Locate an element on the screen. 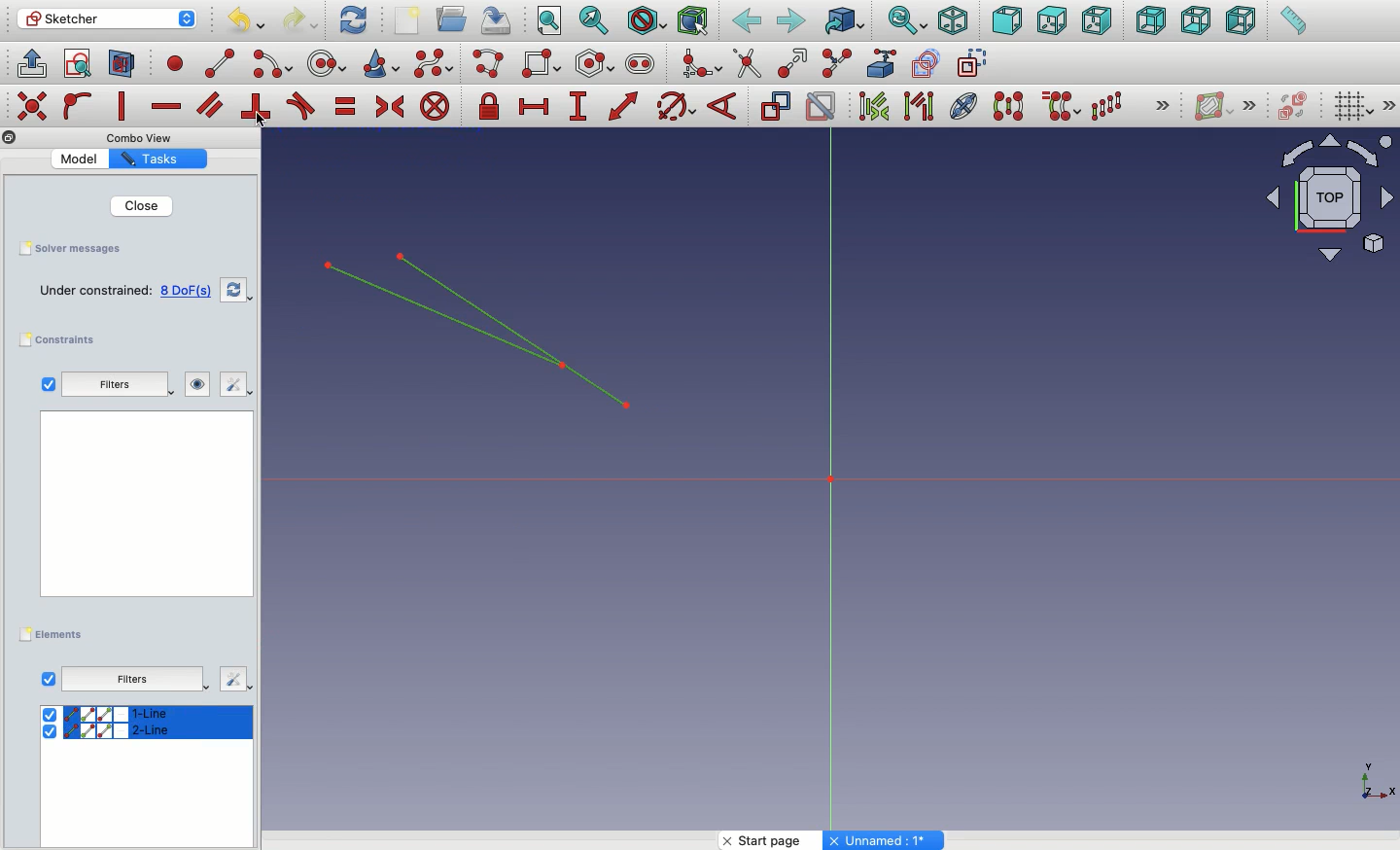 The width and height of the screenshot is (1400, 850). Extend edge is located at coordinates (796, 61).